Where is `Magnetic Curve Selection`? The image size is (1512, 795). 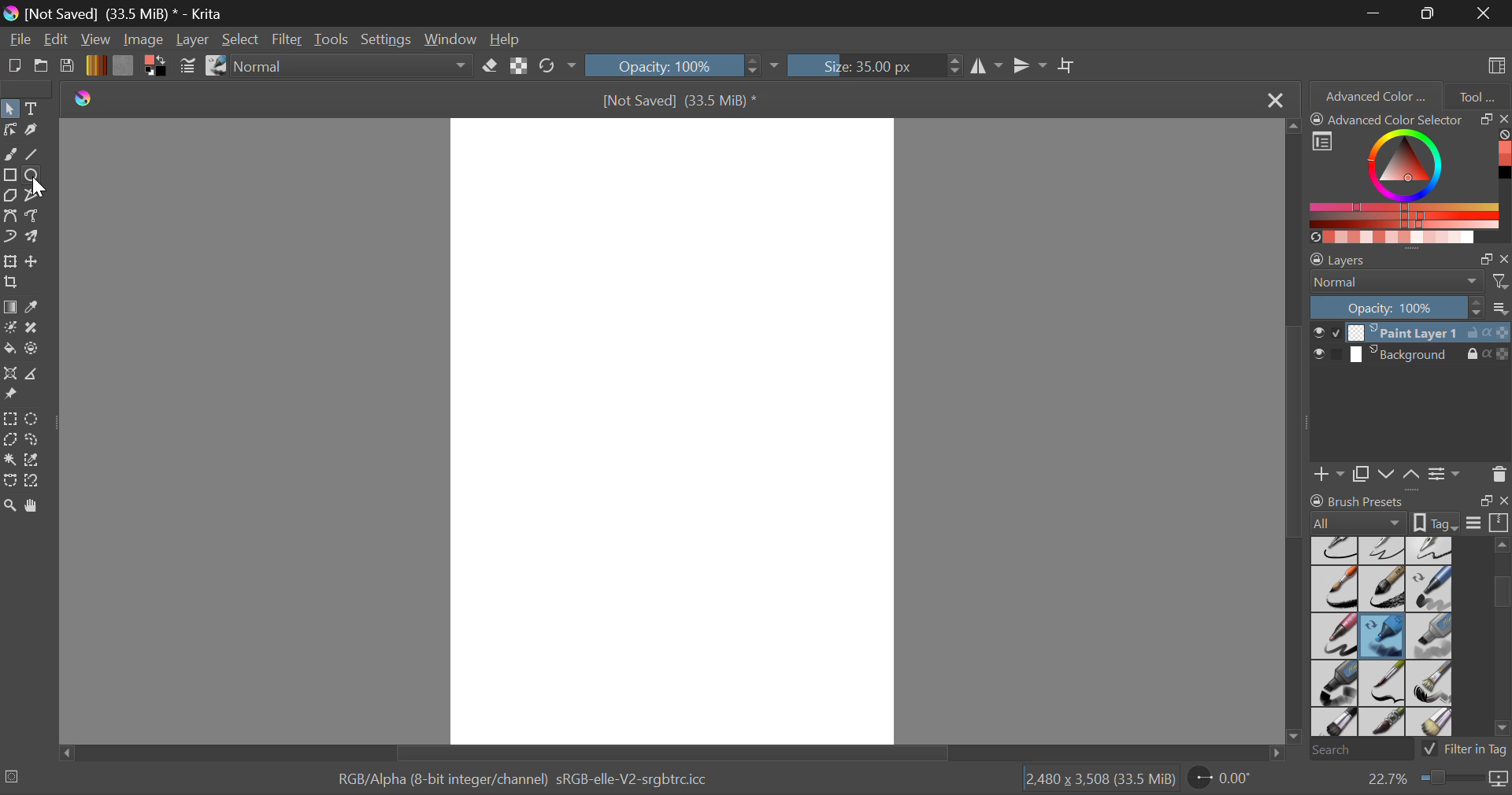 Magnetic Curve Selection is located at coordinates (38, 481).